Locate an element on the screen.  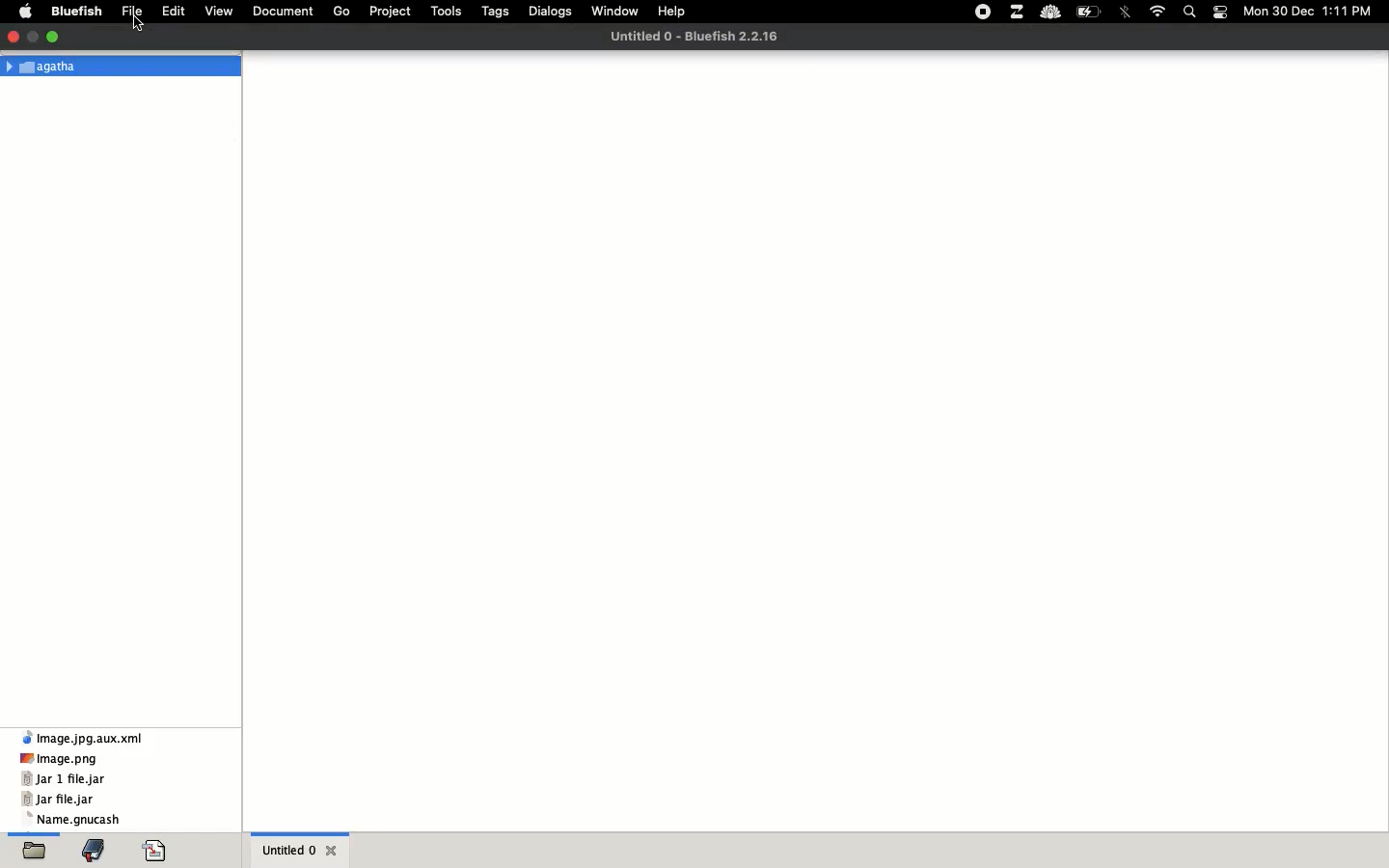
bookmark is located at coordinates (98, 852).